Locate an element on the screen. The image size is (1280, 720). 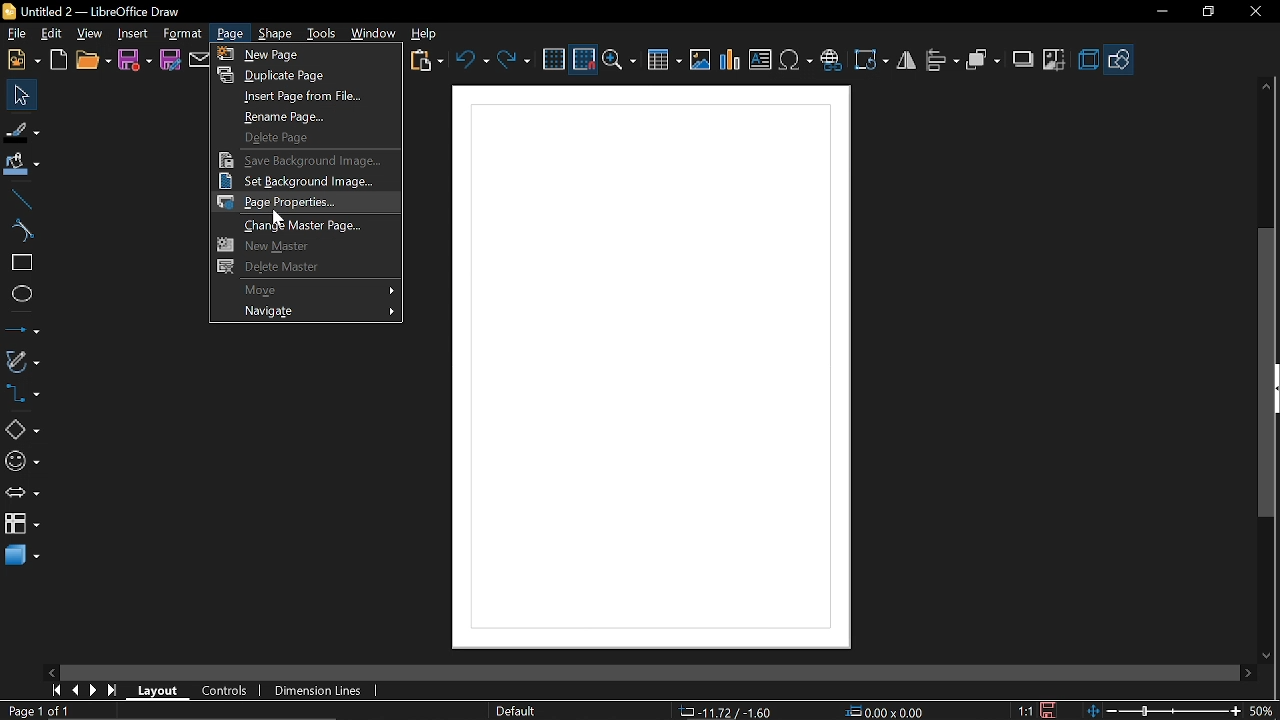
Page properties is located at coordinates (305, 202).